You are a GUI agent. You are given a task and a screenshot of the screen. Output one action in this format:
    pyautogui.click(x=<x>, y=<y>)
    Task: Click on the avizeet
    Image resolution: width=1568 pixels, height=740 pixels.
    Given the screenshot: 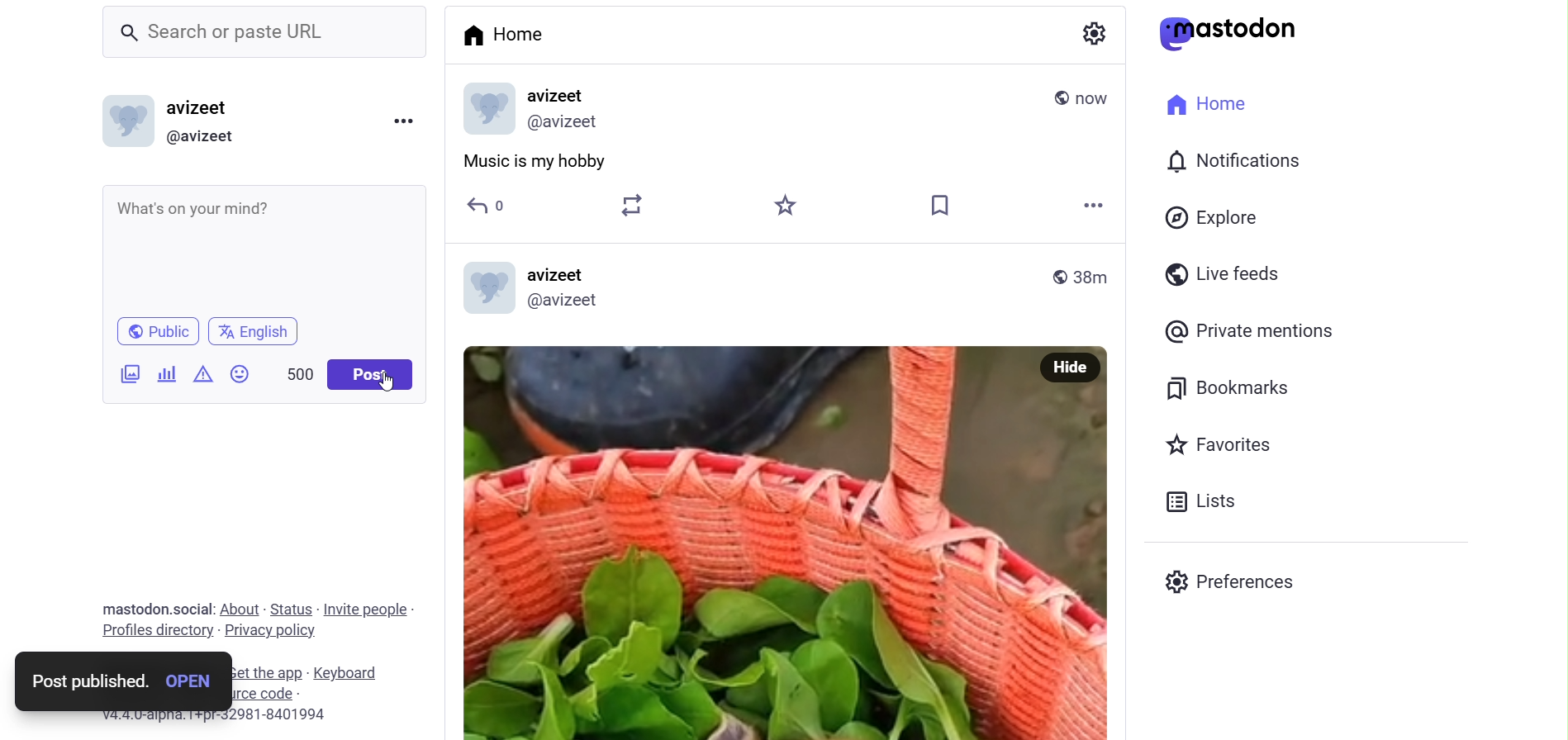 What is the action you would take?
    pyautogui.click(x=573, y=93)
    